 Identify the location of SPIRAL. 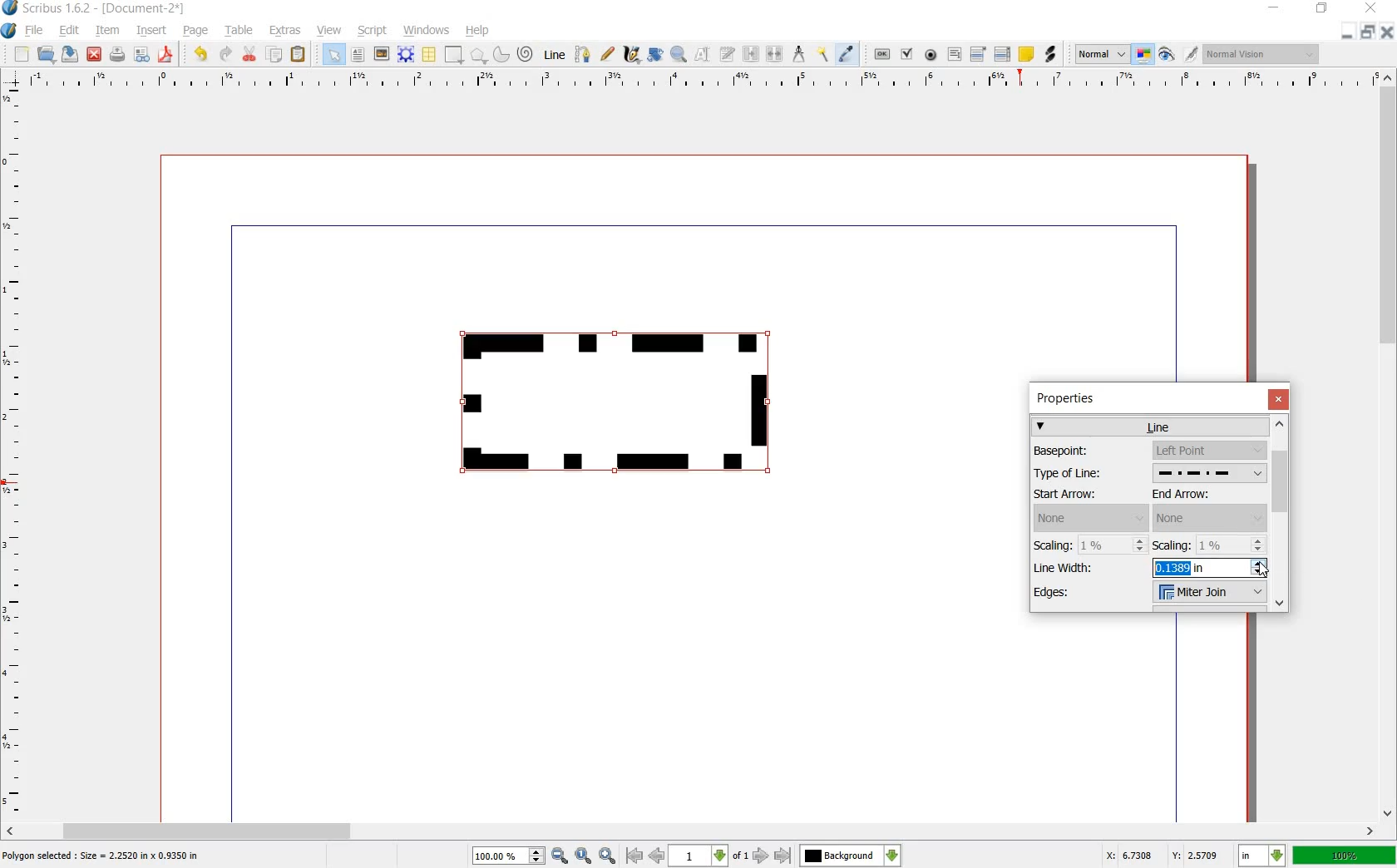
(524, 55).